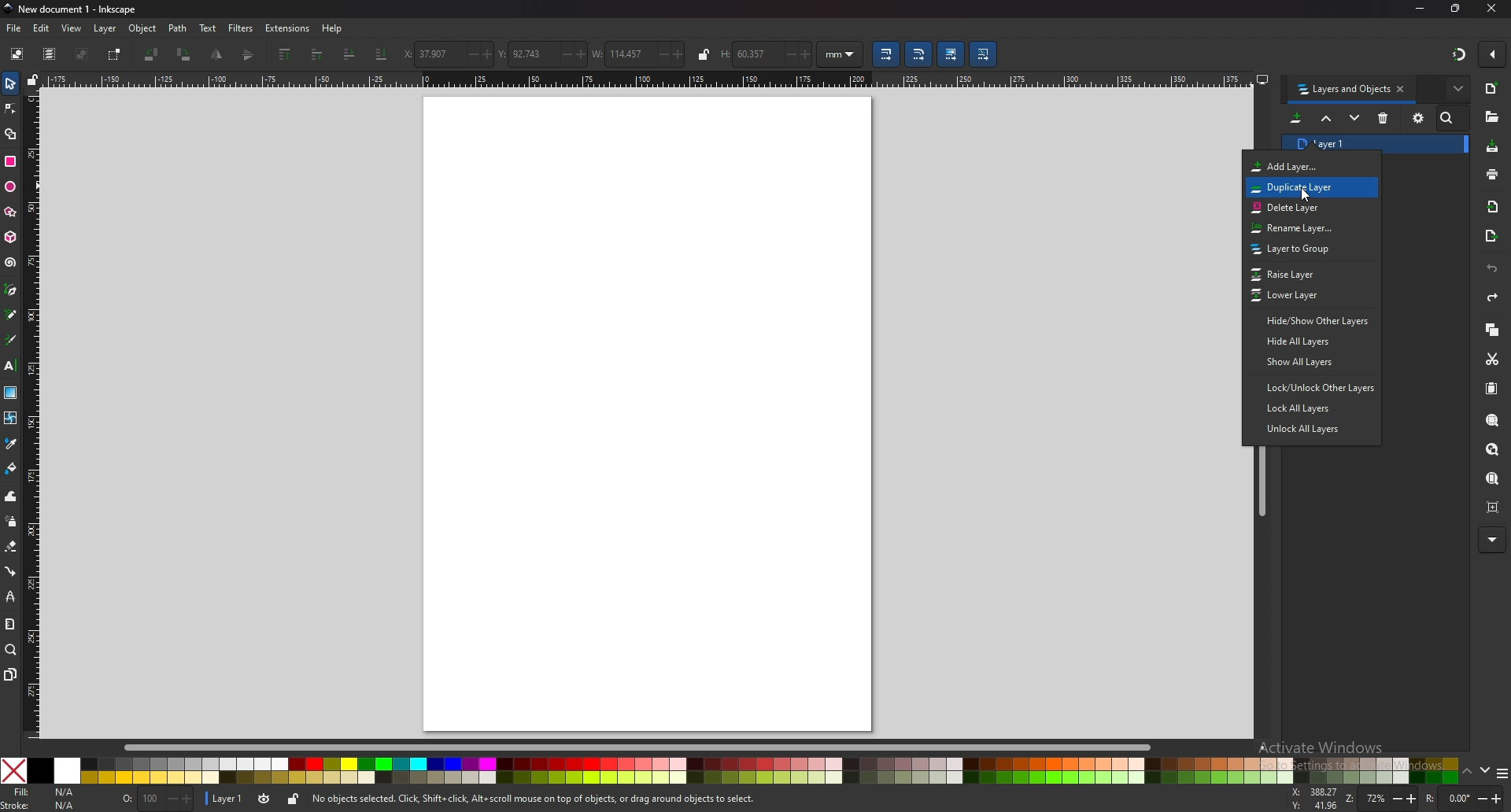 This screenshot has height=812, width=1511. Describe the element at coordinates (68, 771) in the screenshot. I see `white` at that location.